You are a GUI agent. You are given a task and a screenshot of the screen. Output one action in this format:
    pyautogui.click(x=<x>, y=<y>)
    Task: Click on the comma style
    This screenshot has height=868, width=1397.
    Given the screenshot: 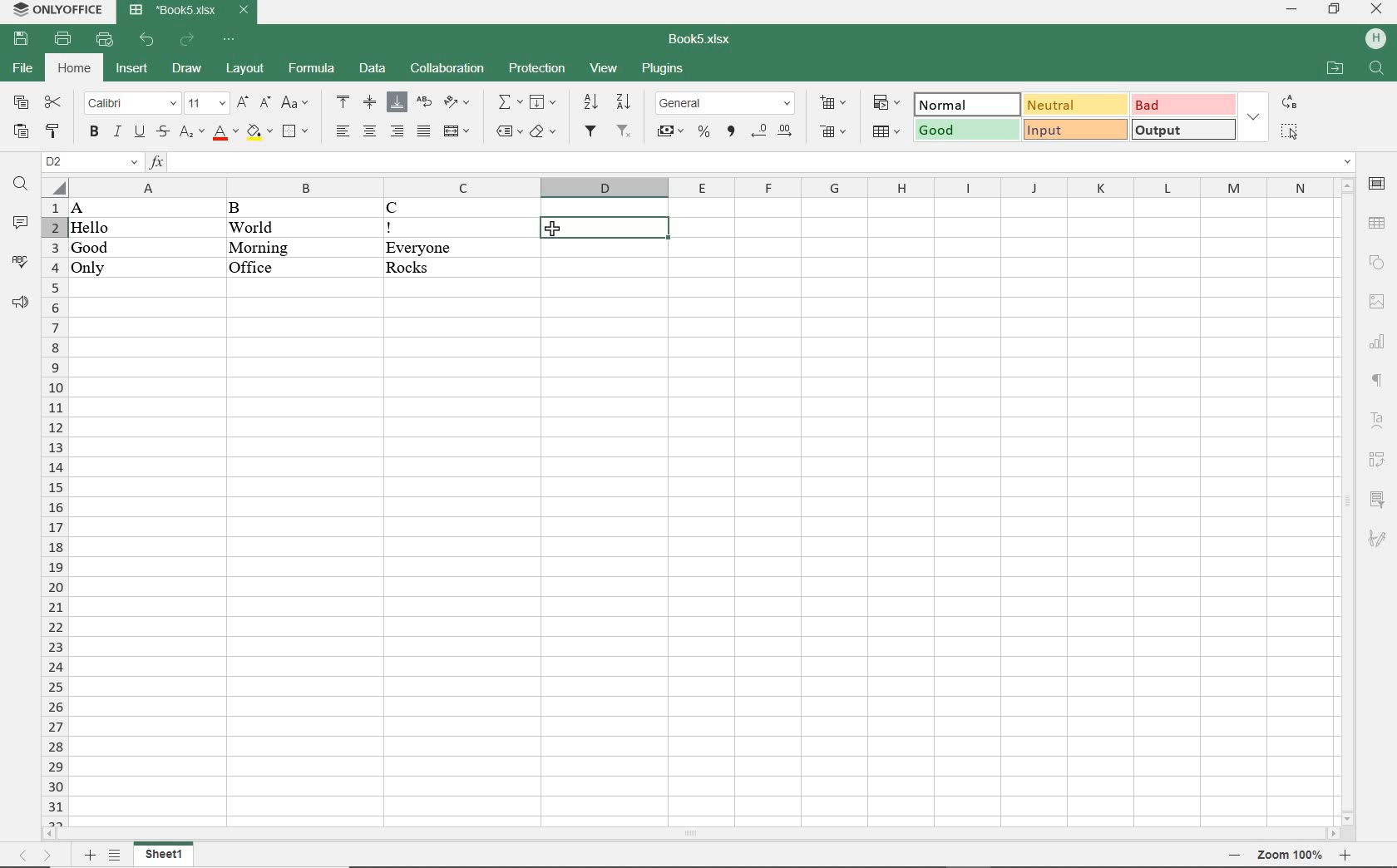 What is the action you would take?
    pyautogui.click(x=731, y=133)
    